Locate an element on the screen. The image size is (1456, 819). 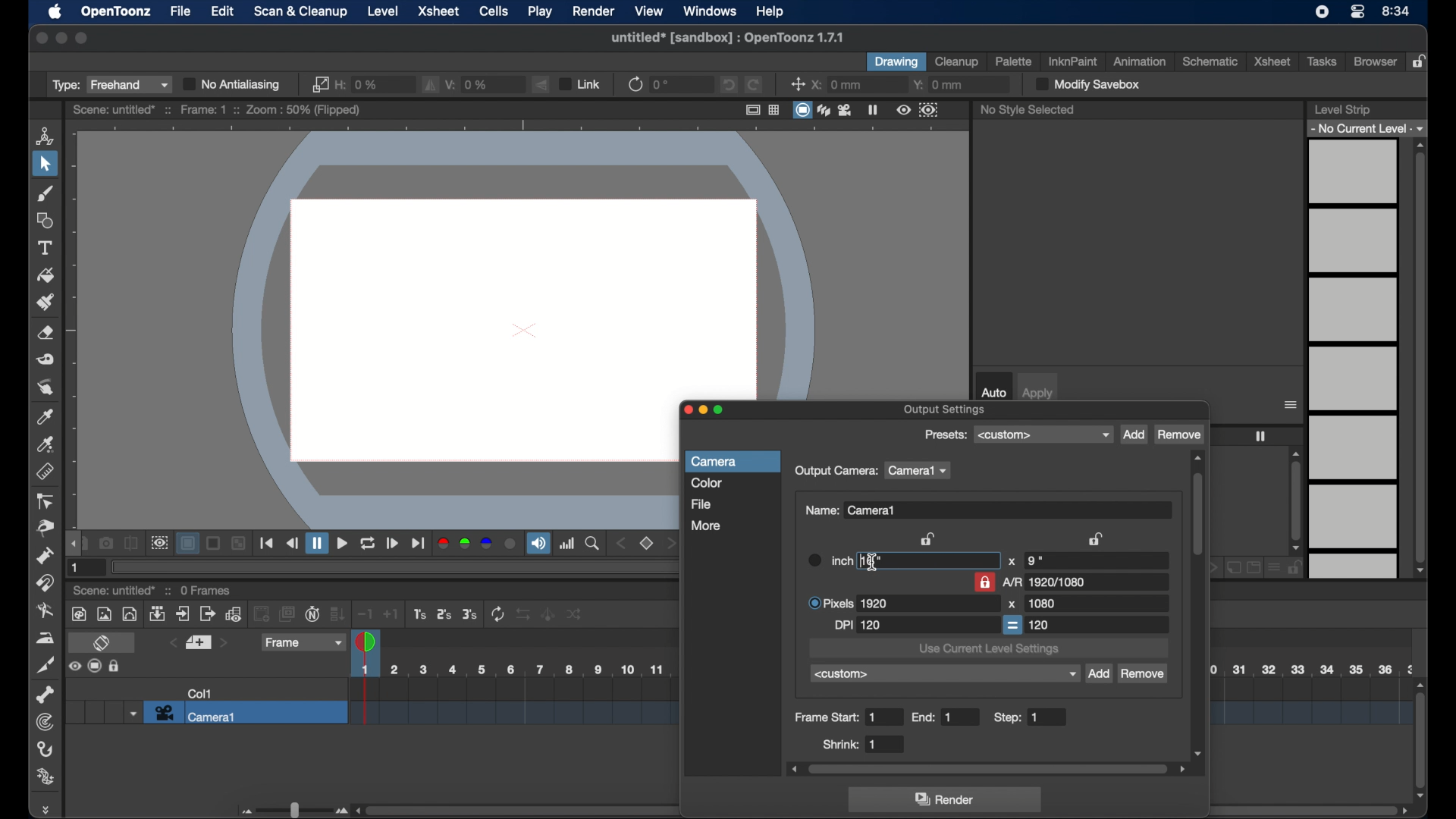
 is located at coordinates (548, 613).